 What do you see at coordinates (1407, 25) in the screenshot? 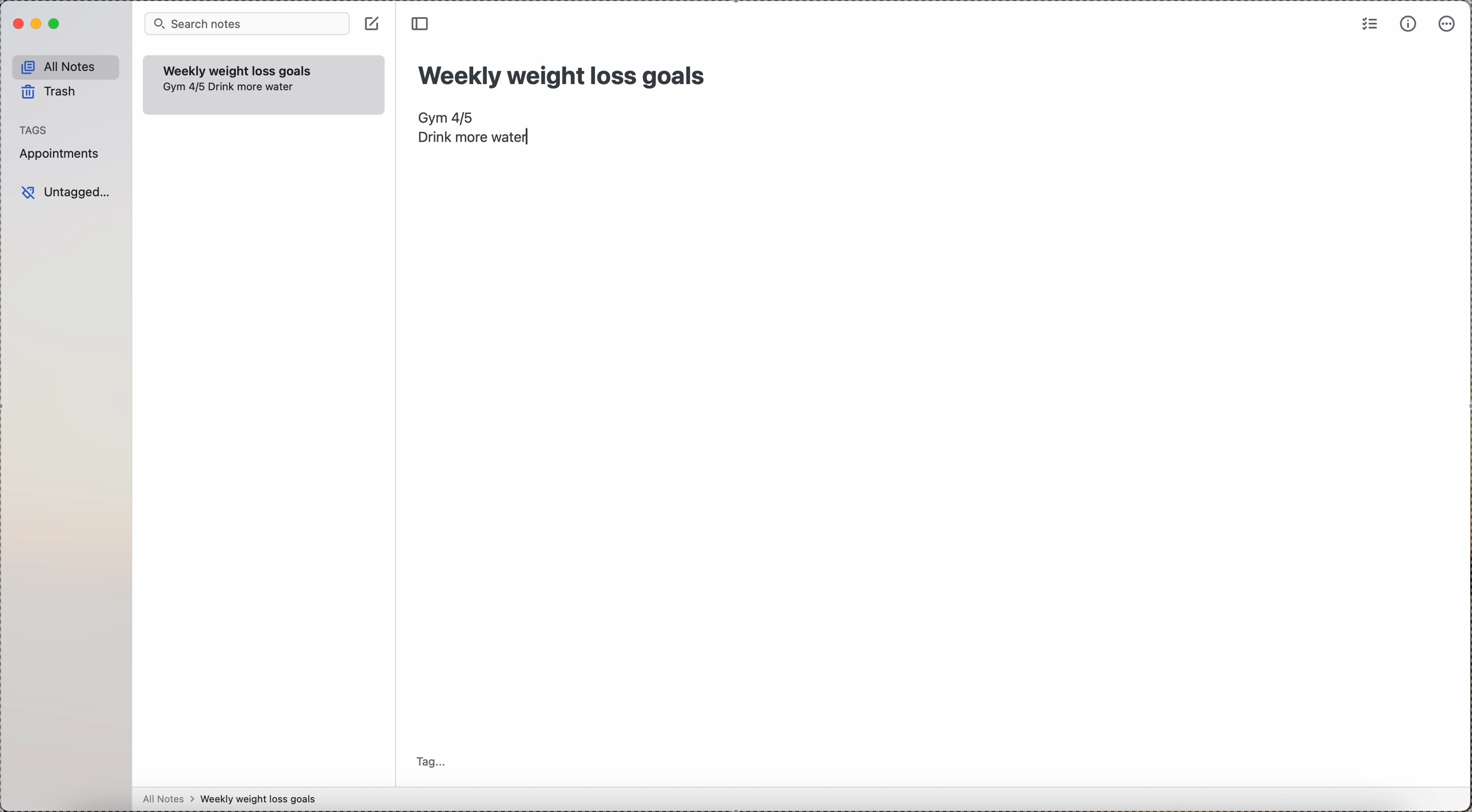
I see `metrics` at bounding box center [1407, 25].